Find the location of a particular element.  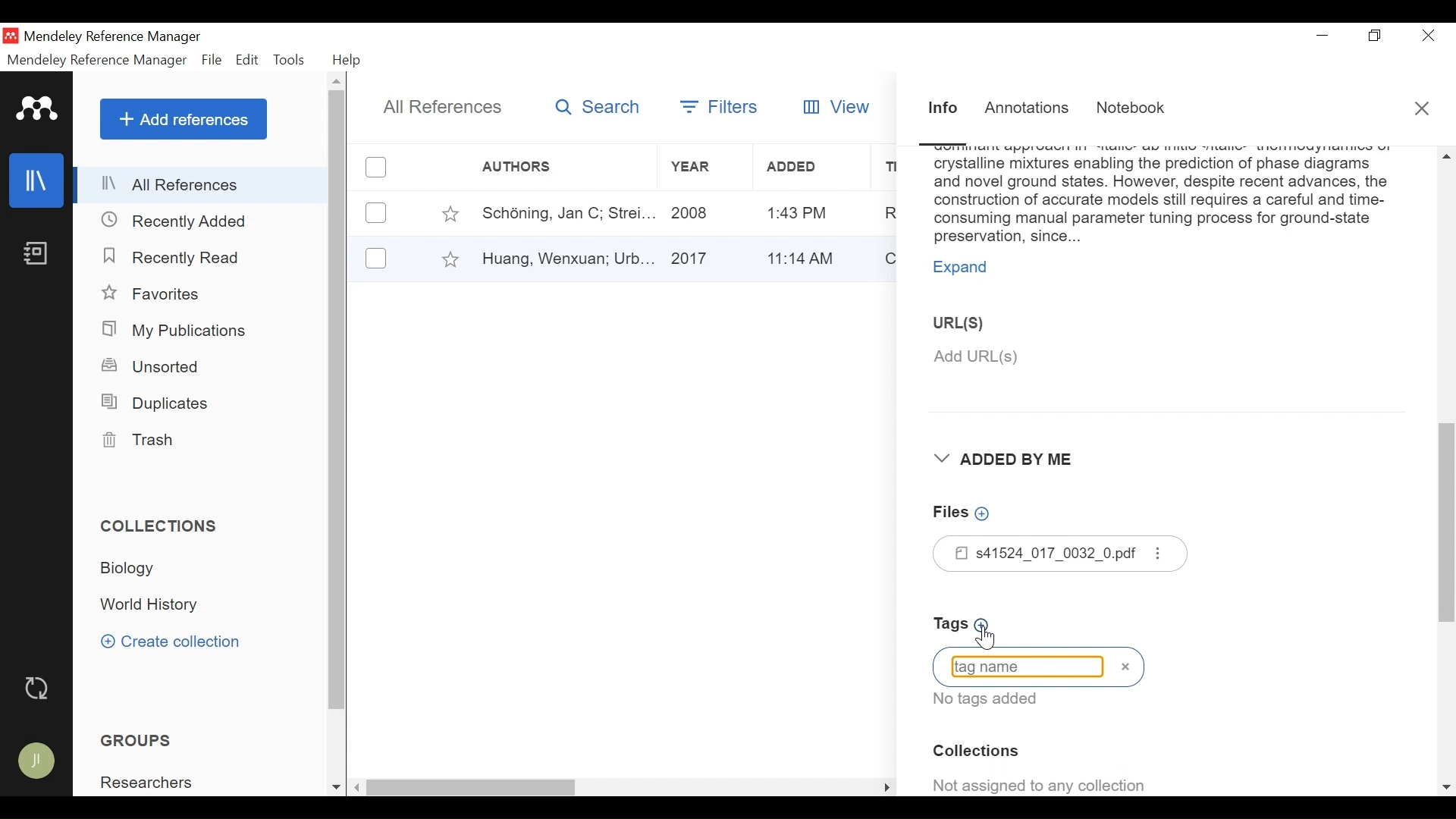

Collection is located at coordinates (152, 606).